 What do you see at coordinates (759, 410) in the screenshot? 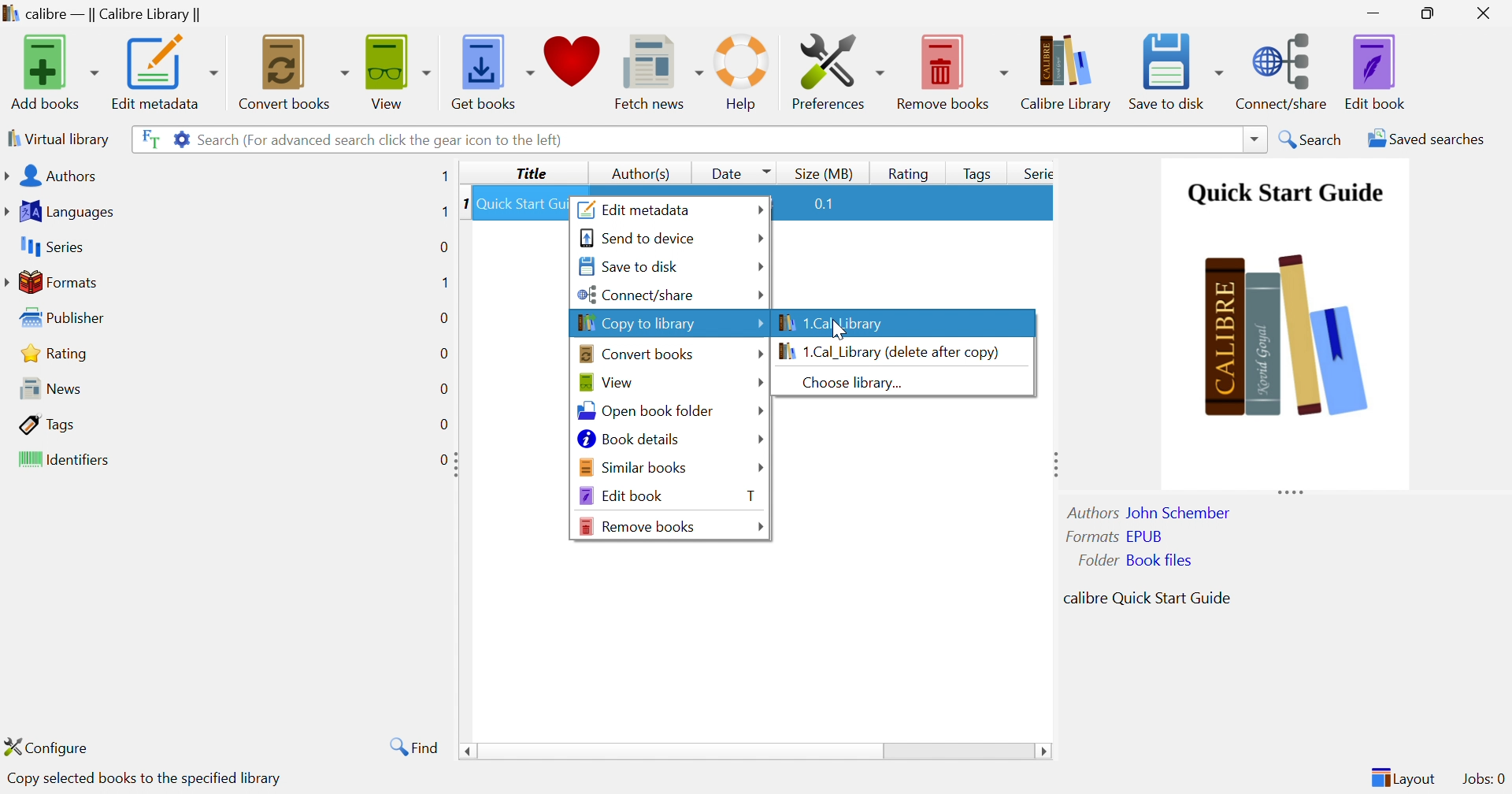
I see `Drop Down` at bounding box center [759, 410].